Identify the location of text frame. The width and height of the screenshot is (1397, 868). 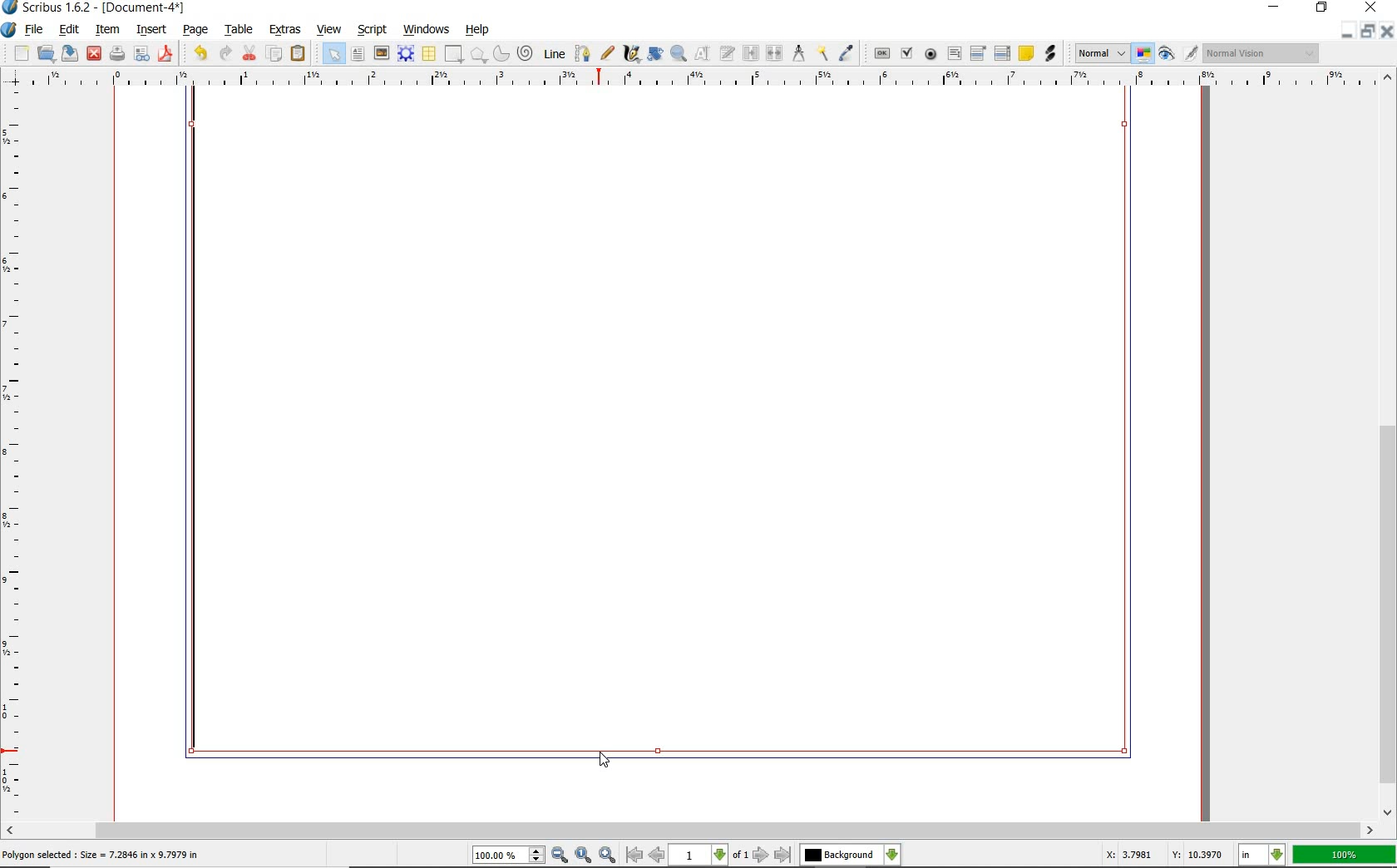
(358, 56).